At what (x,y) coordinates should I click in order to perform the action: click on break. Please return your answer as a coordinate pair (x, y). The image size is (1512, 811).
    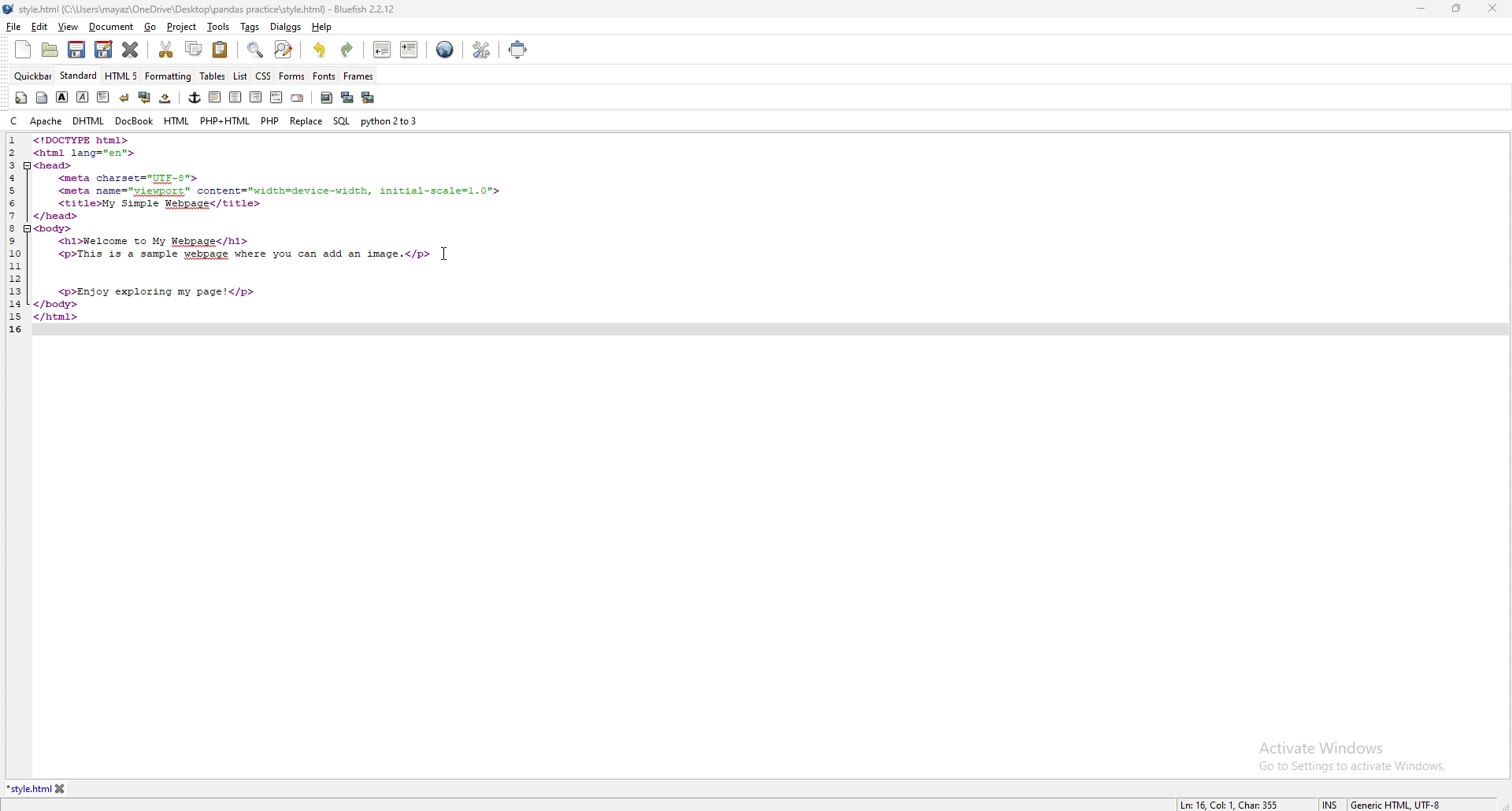
    Looking at the image, I should click on (124, 98).